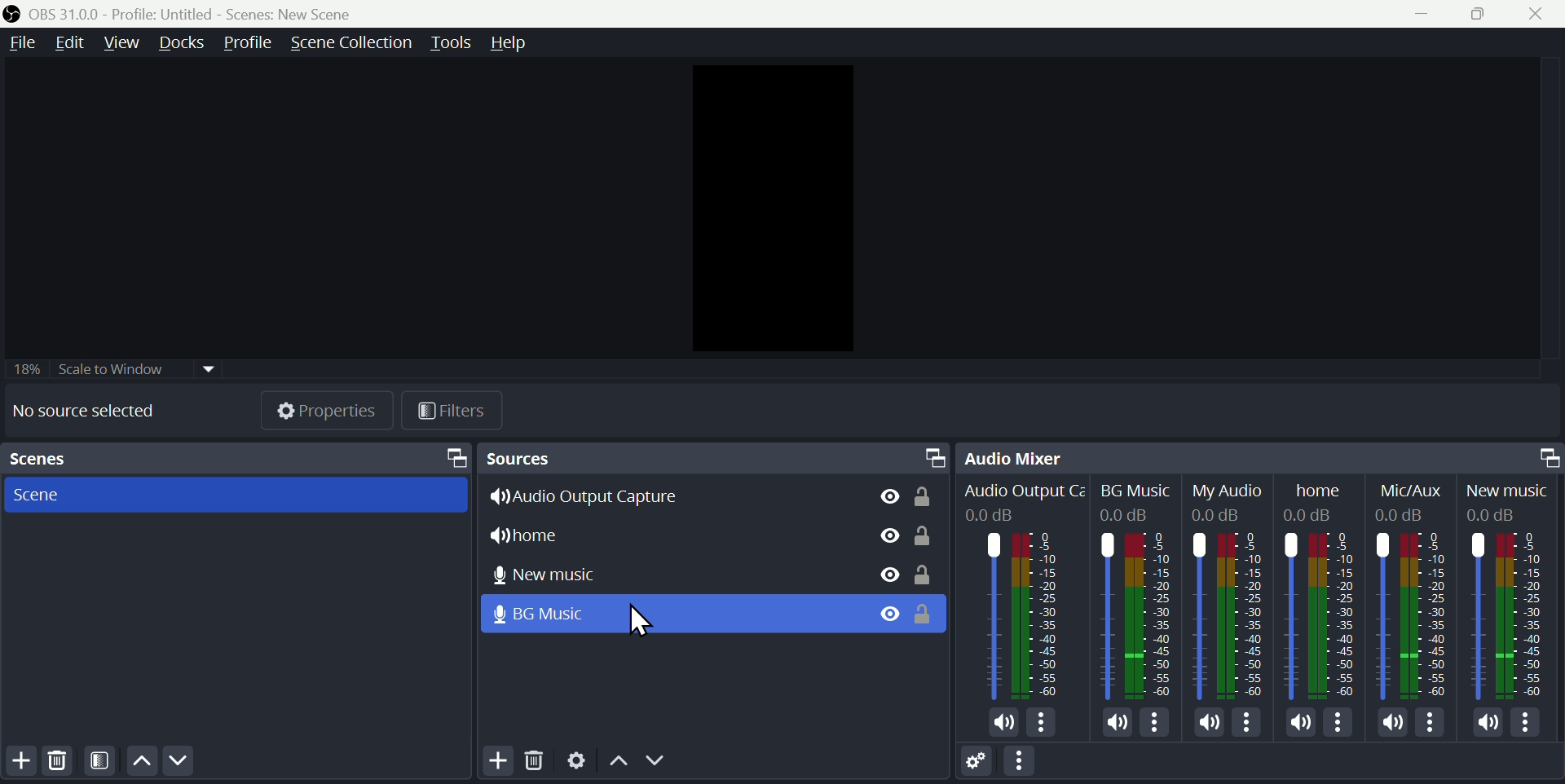  I want to click on lock/unlock, so click(925, 572).